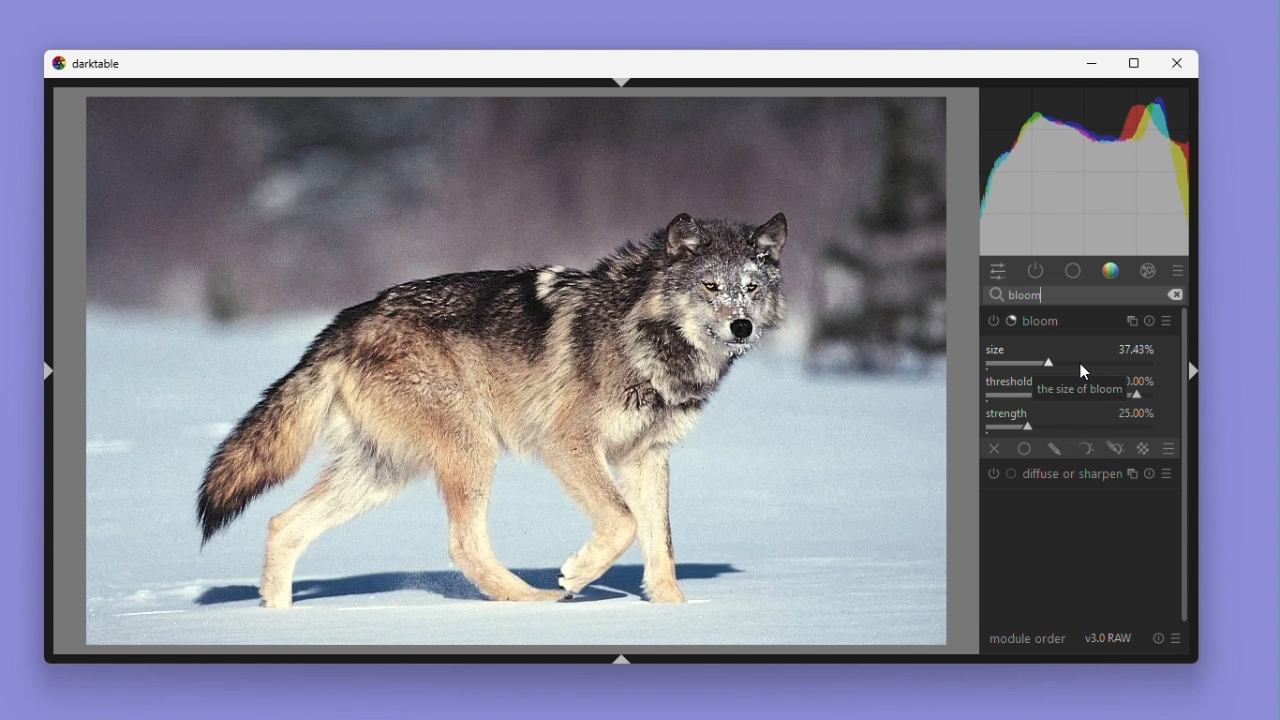  Describe the element at coordinates (1160, 638) in the screenshot. I see `reset` at that location.